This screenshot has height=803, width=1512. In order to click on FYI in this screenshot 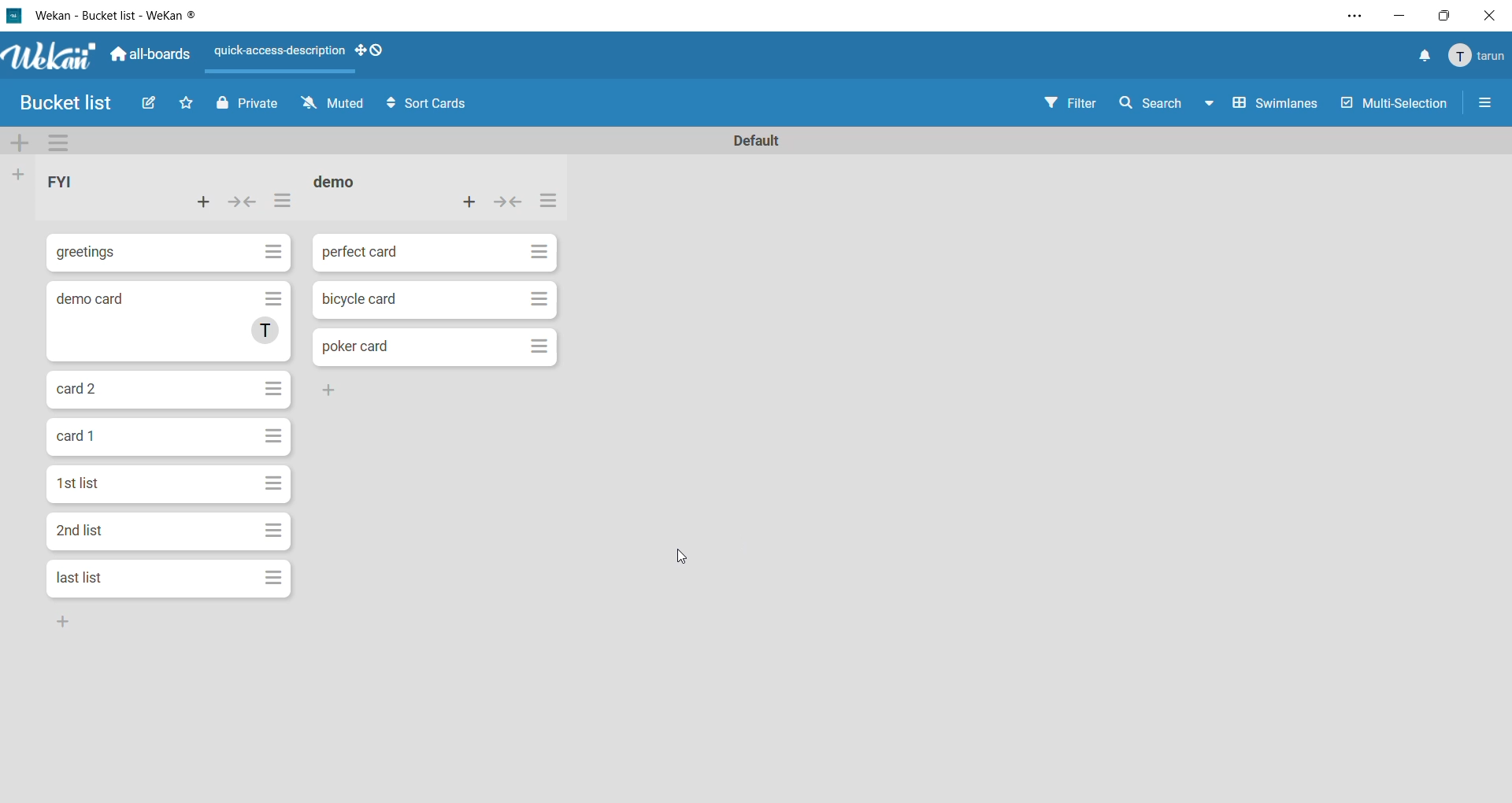, I will do `click(94, 179)`.